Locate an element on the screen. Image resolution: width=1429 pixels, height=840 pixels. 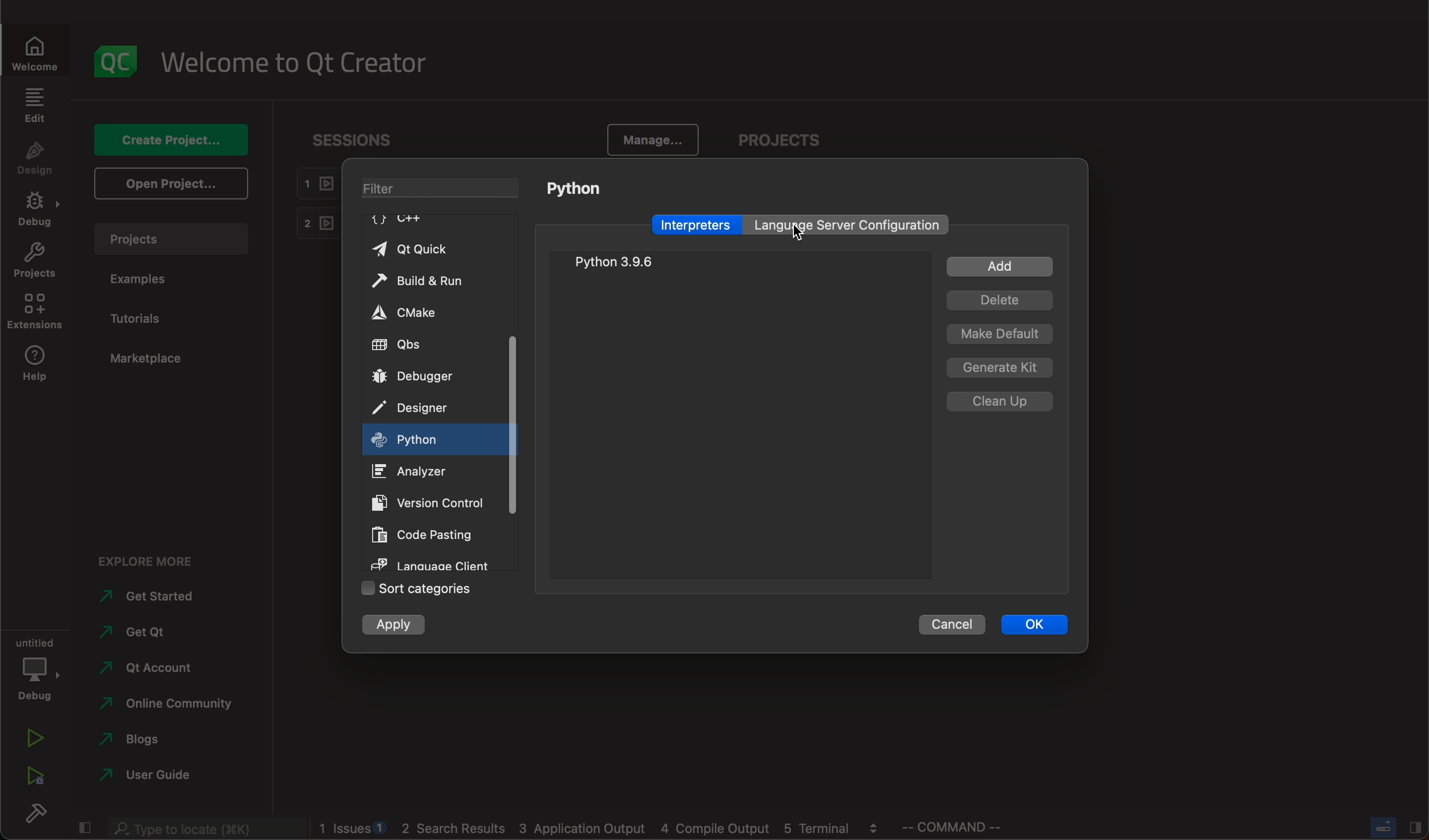
default is located at coordinates (999, 334).